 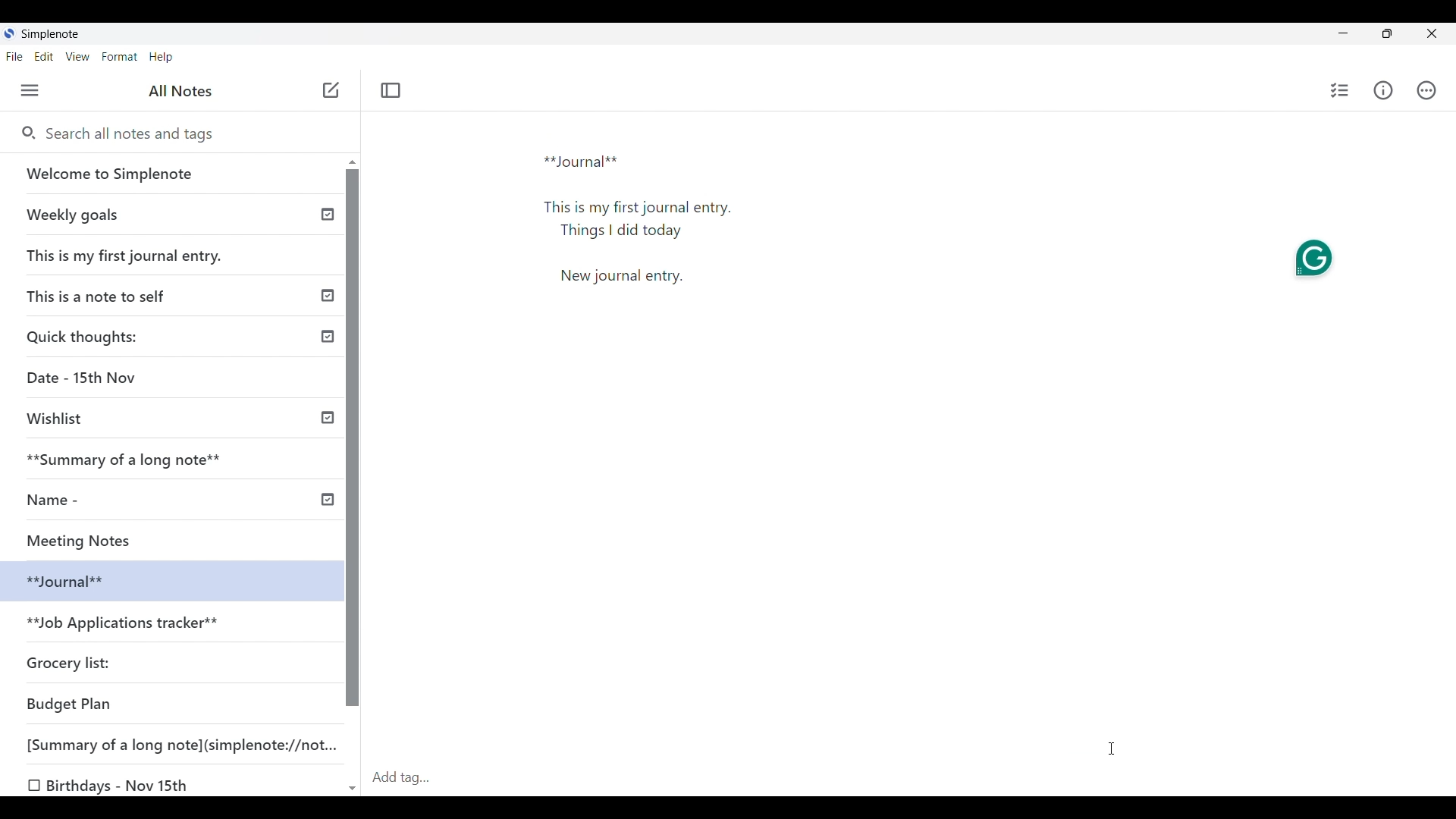 I want to click on Name -, so click(x=58, y=500).